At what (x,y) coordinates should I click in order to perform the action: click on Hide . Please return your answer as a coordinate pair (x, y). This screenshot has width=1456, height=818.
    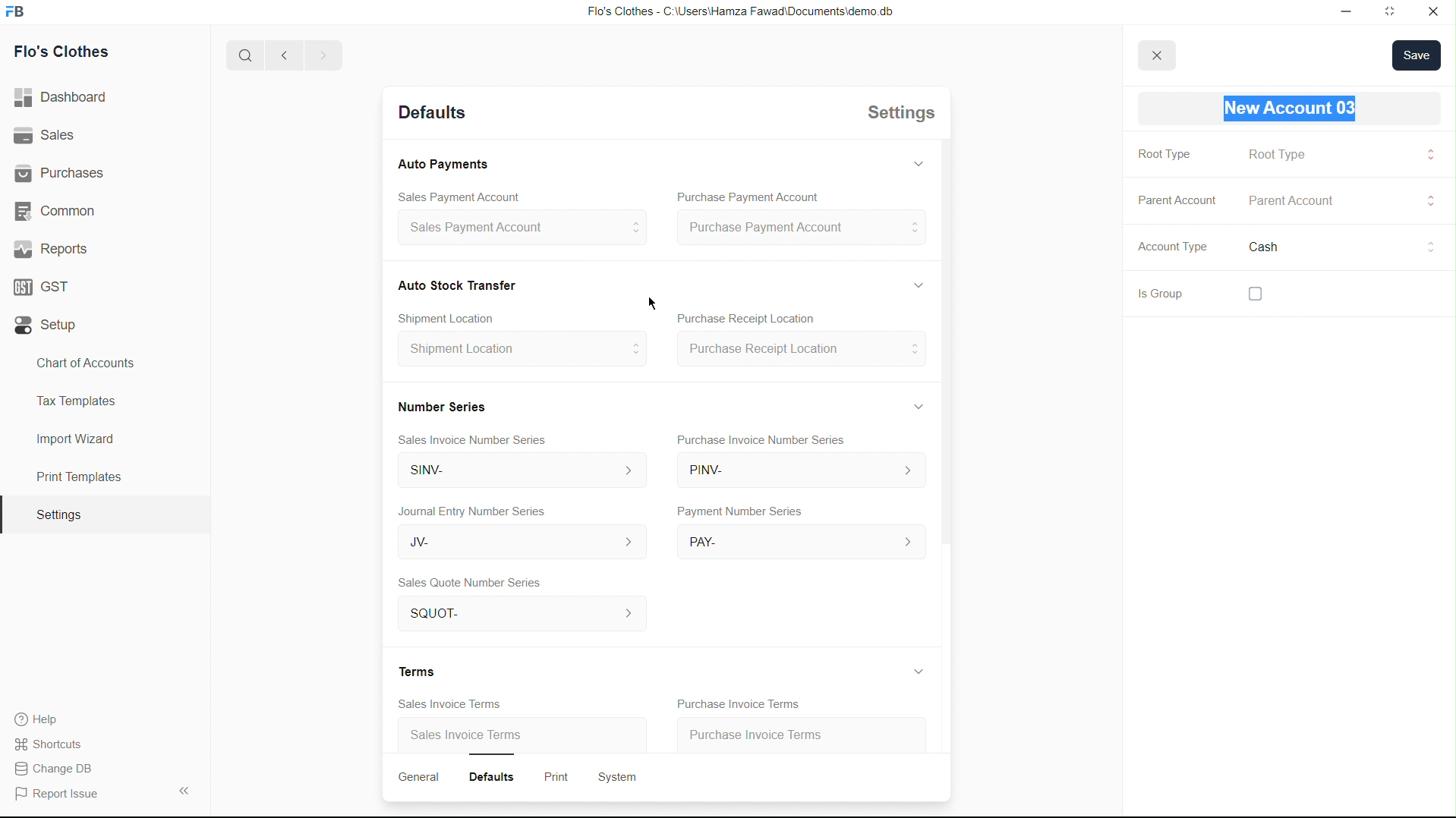
    Looking at the image, I should click on (915, 283).